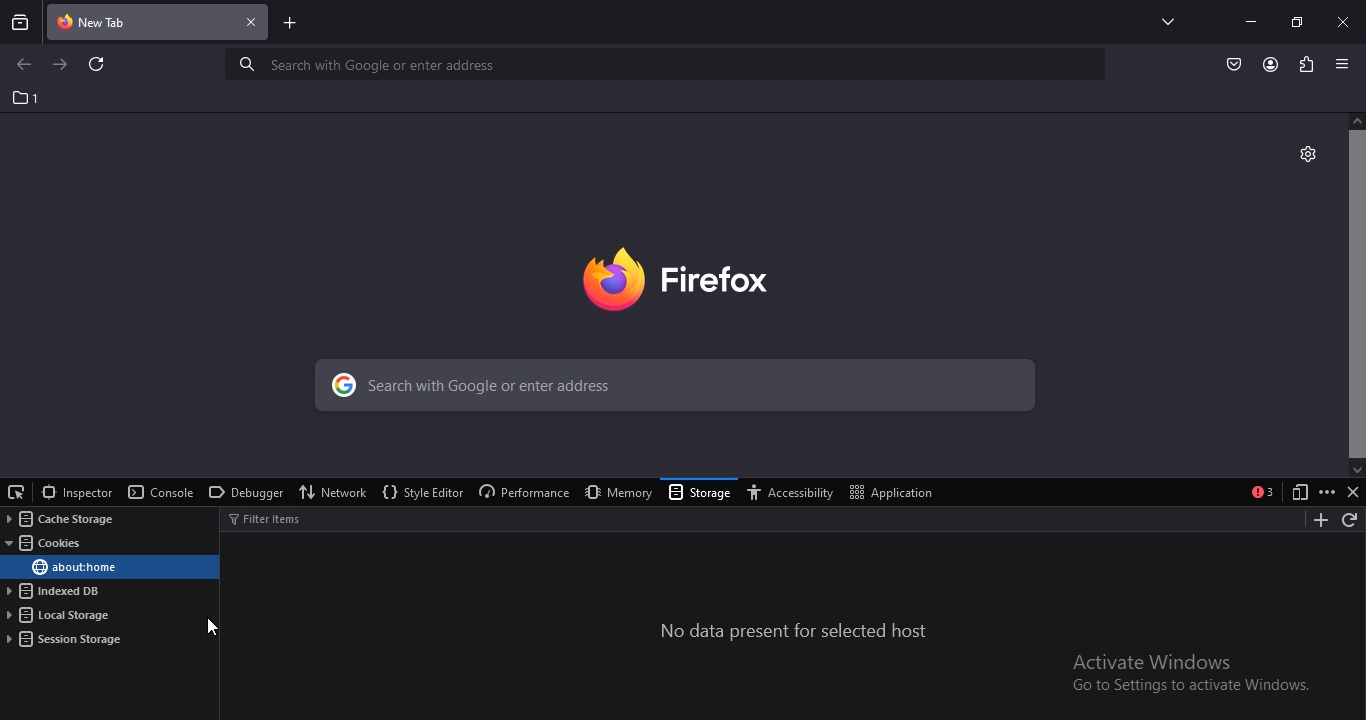 This screenshot has width=1366, height=720. What do you see at coordinates (1356, 293) in the screenshot?
I see `scroll bar` at bounding box center [1356, 293].